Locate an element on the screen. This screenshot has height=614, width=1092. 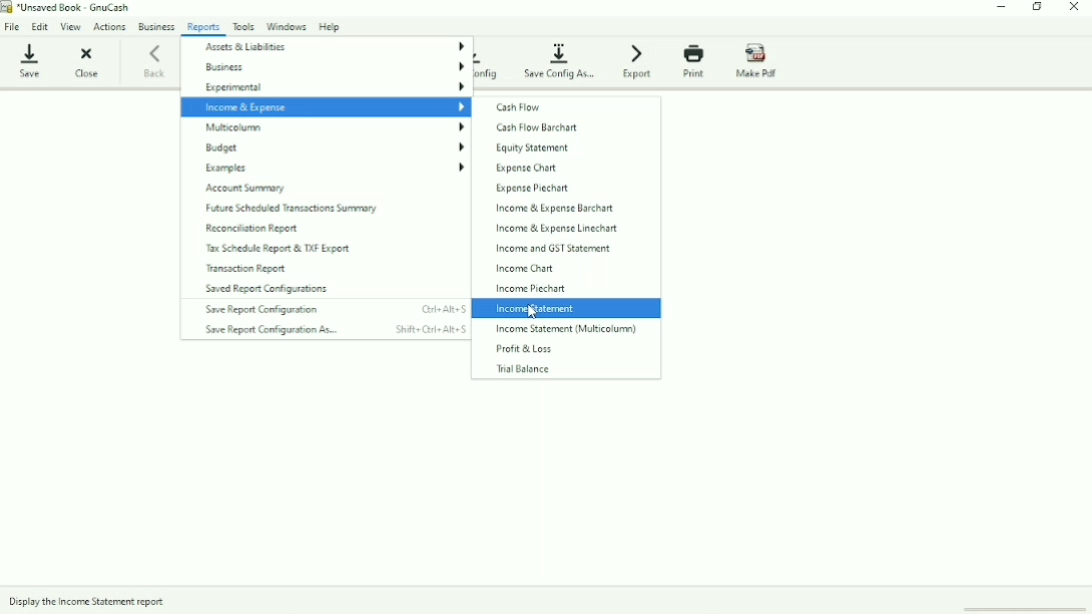
Windows is located at coordinates (288, 25).